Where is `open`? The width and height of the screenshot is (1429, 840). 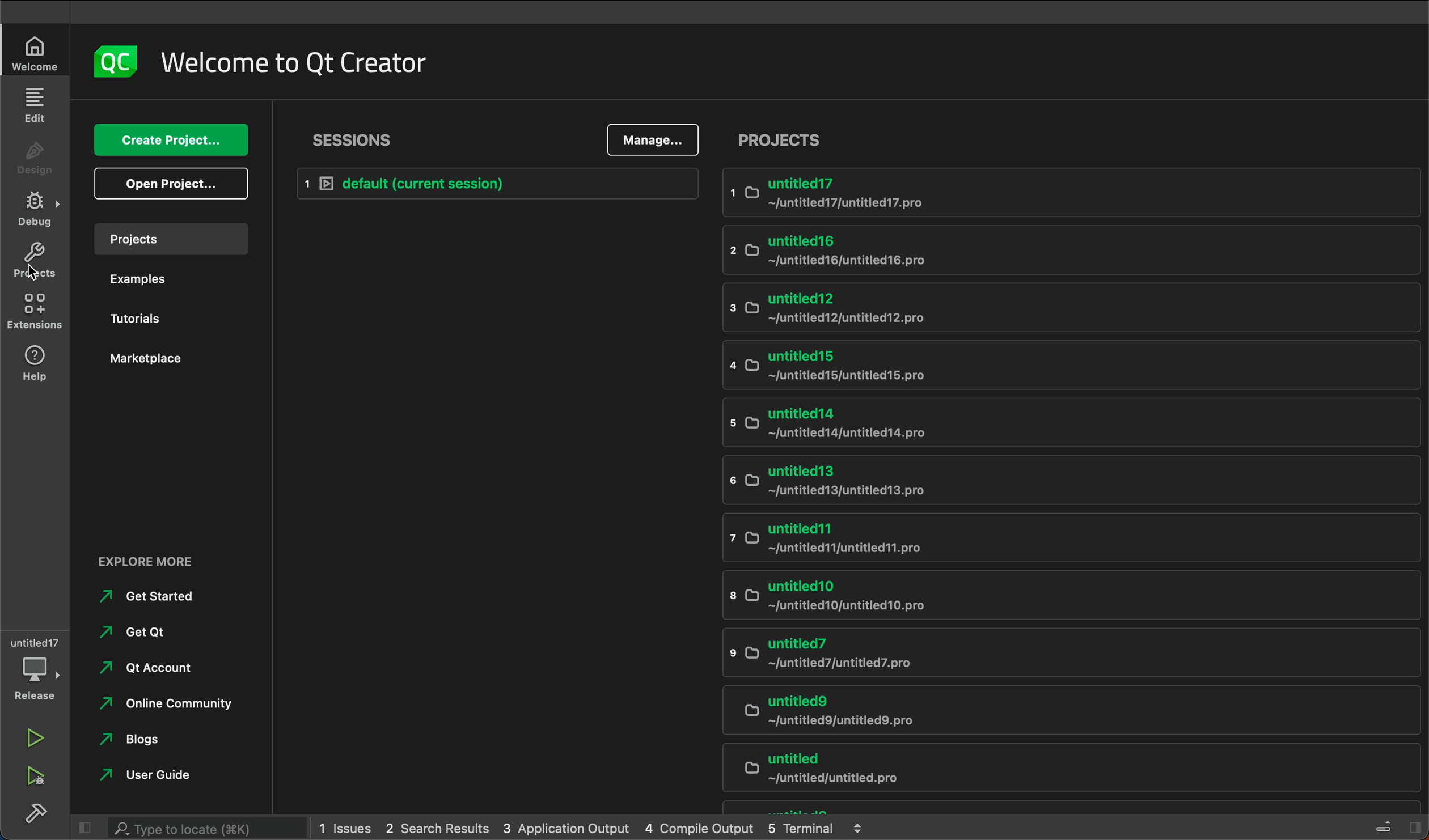
open is located at coordinates (171, 185).